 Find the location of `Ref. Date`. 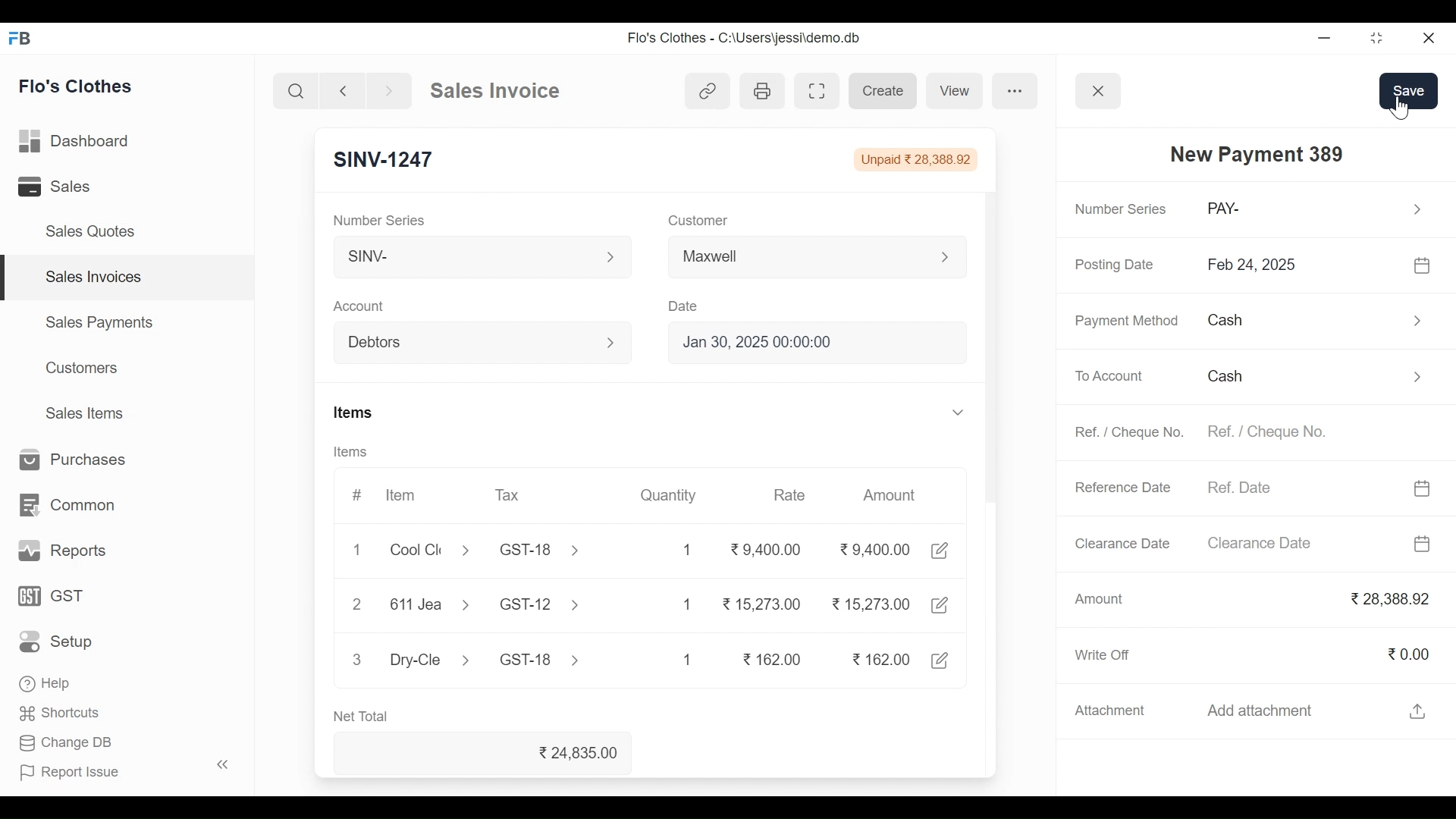

Ref. Date is located at coordinates (1318, 490).